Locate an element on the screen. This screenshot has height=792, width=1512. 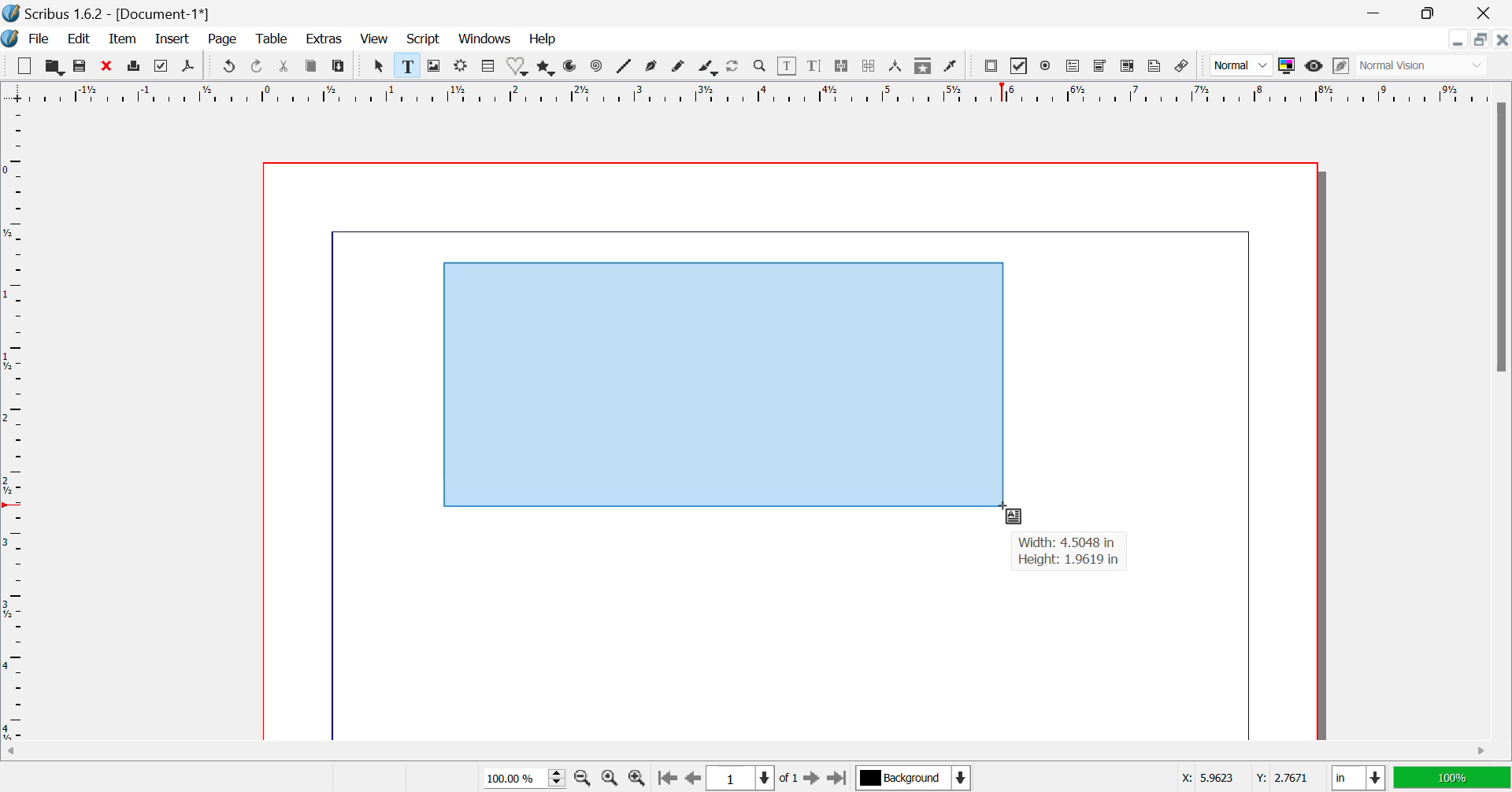
Render Frame is located at coordinates (463, 66).